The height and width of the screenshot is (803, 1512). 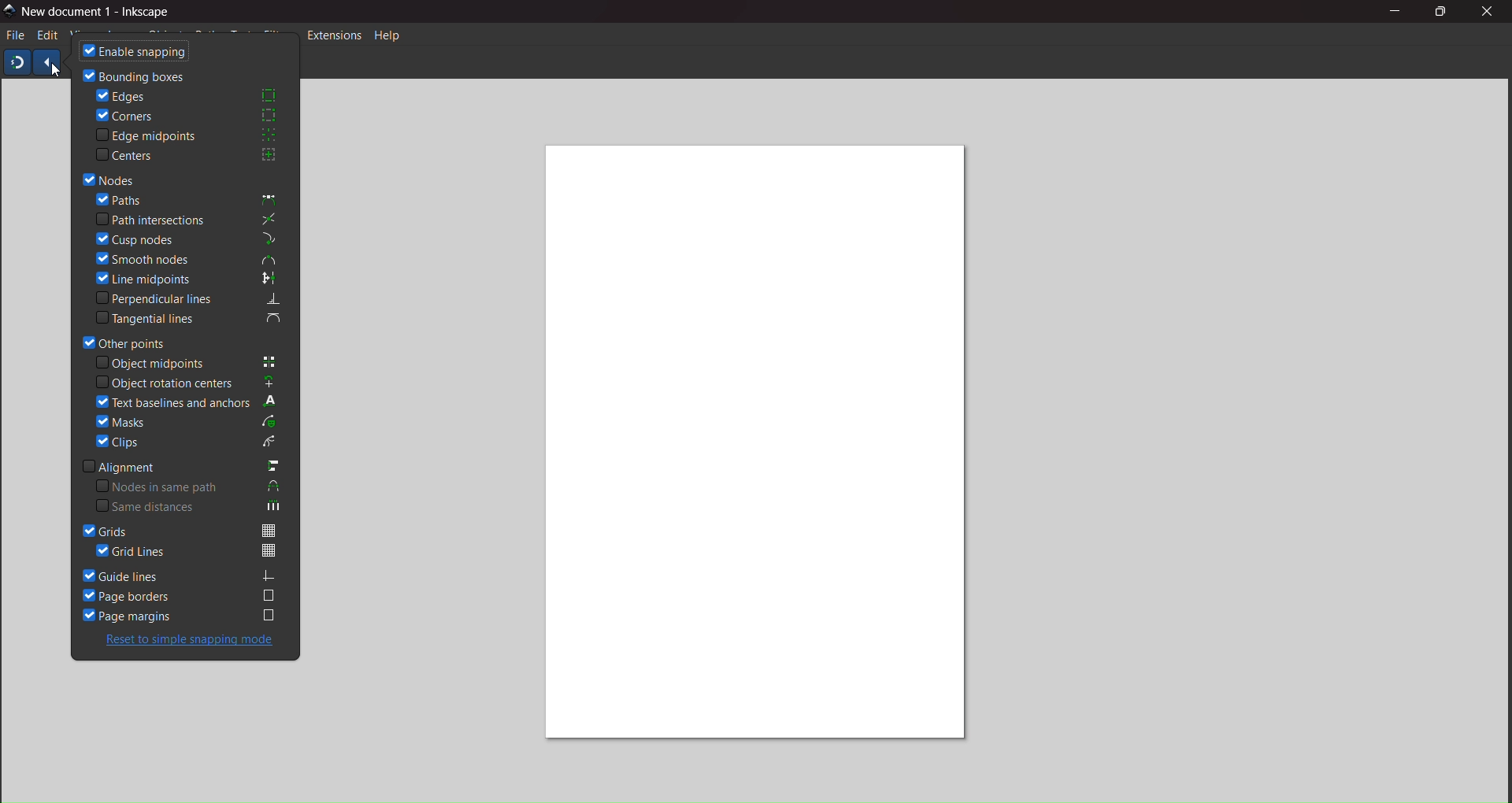 What do you see at coordinates (179, 464) in the screenshot?
I see `alignment` at bounding box center [179, 464].